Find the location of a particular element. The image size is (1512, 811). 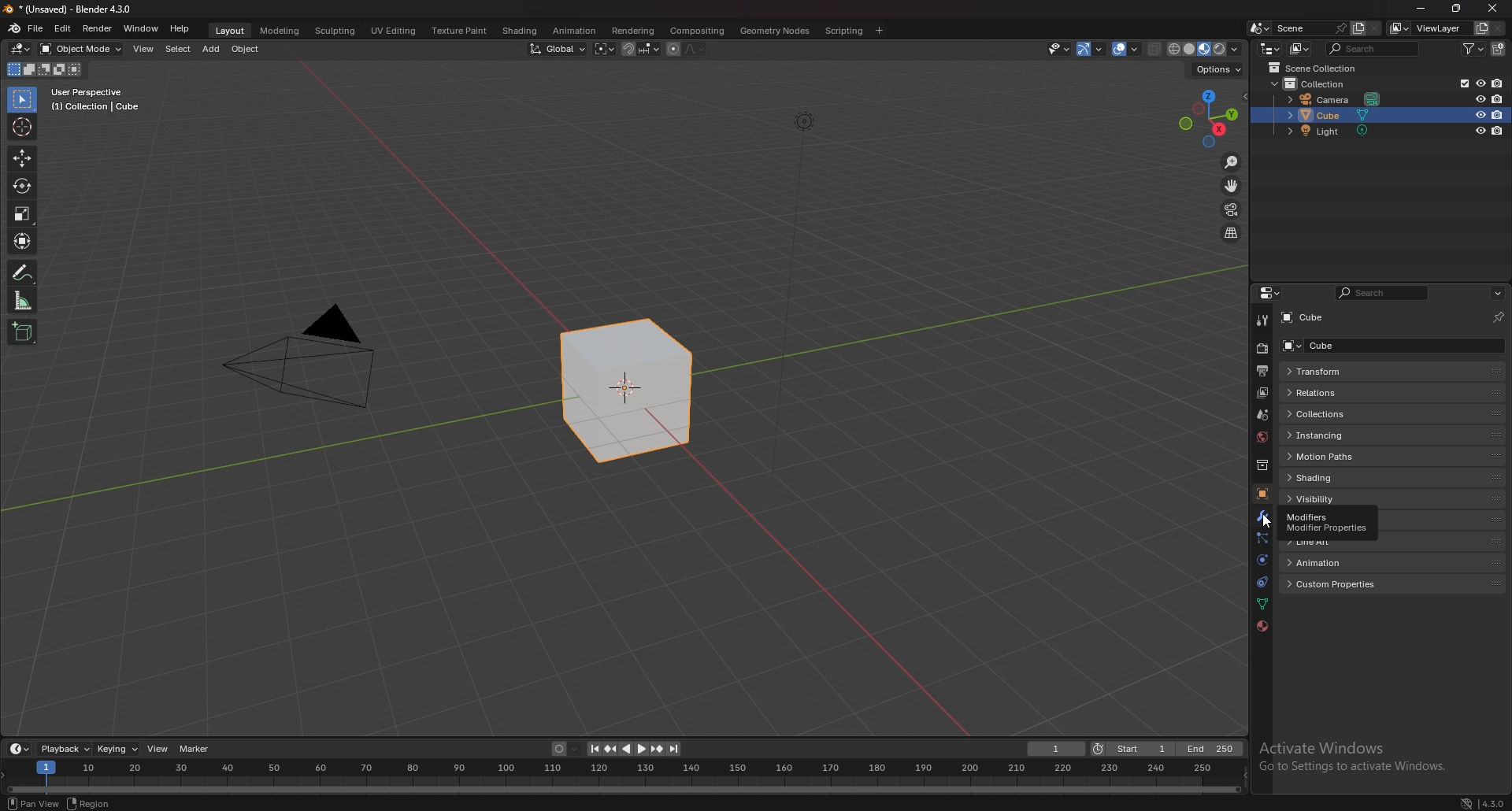

material is located at coordinates (1262, 624).